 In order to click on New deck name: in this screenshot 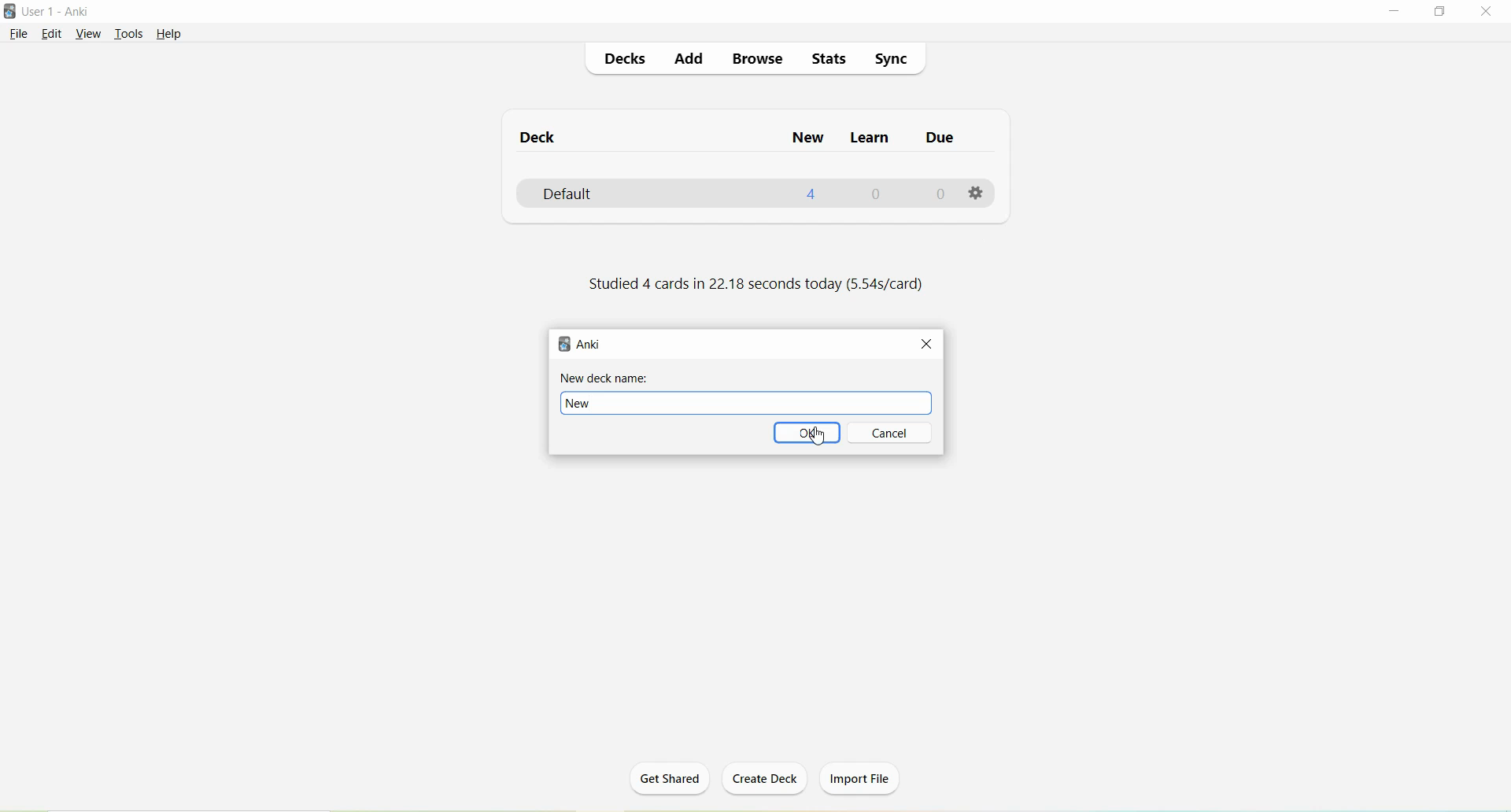, I will do `click(605, 378)`.